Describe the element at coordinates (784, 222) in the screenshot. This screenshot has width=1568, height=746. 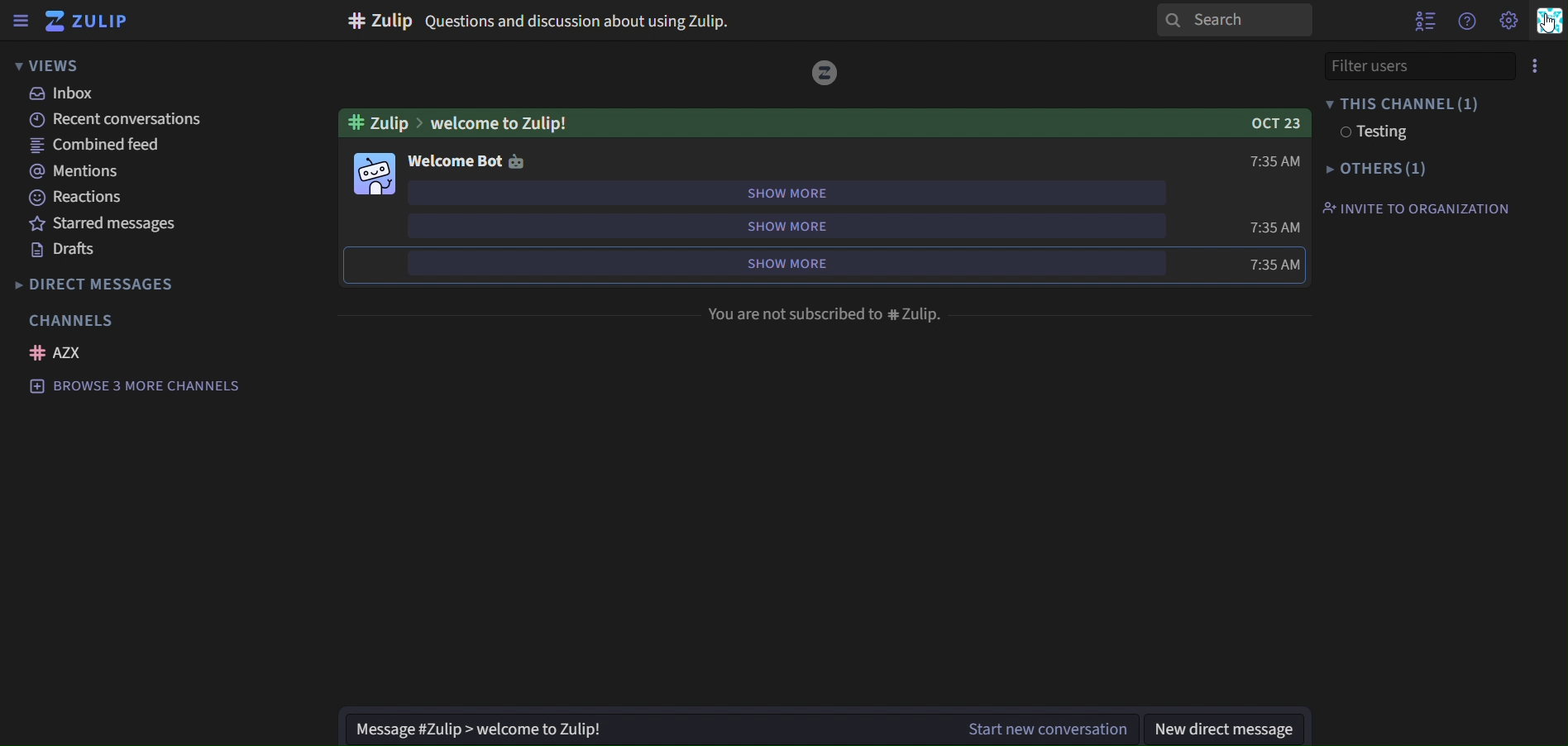
I see `show more` at that location.